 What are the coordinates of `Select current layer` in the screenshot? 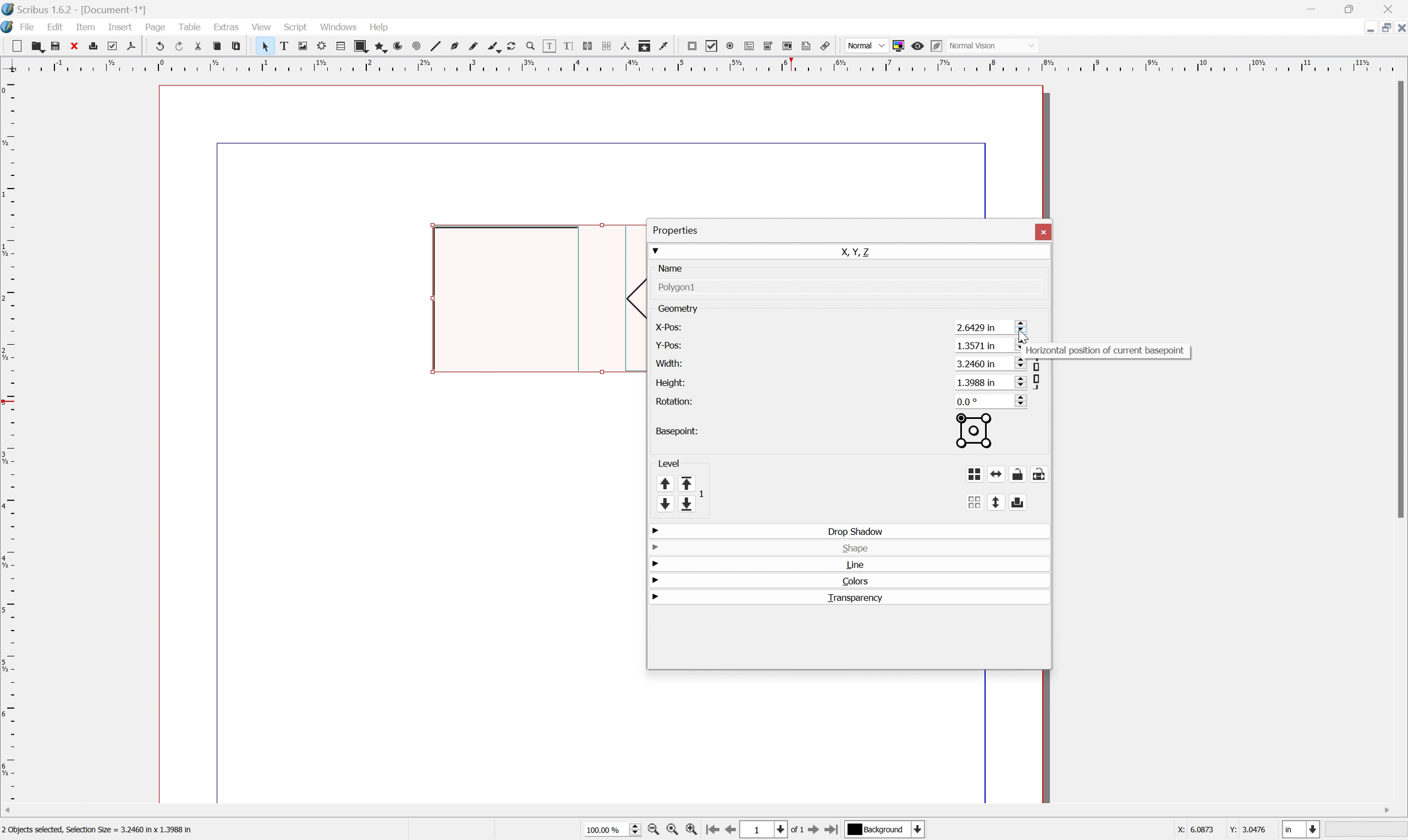 It's located at (889, 829).